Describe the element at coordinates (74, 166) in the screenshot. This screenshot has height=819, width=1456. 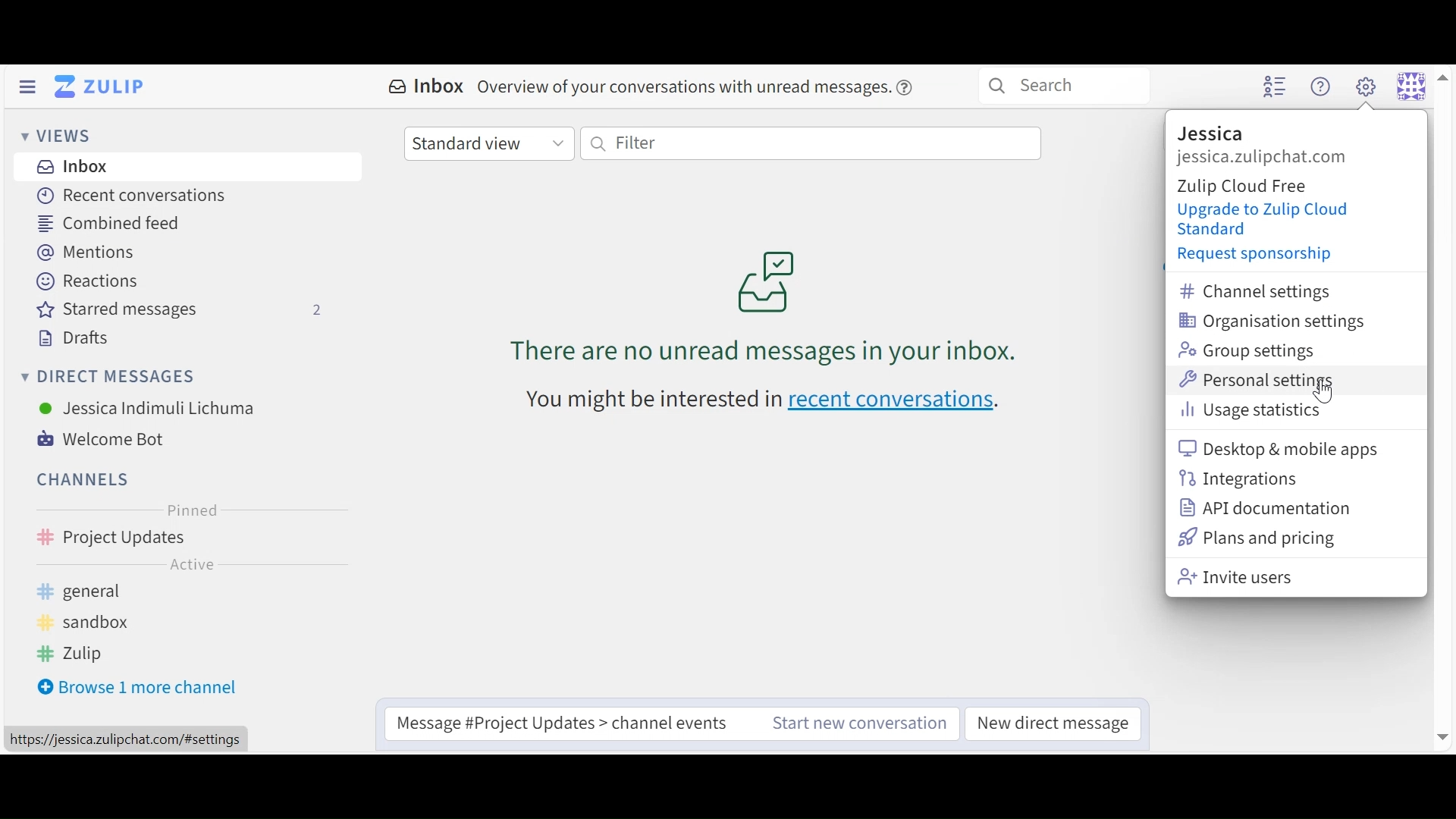
I see `Inbox` at that location.